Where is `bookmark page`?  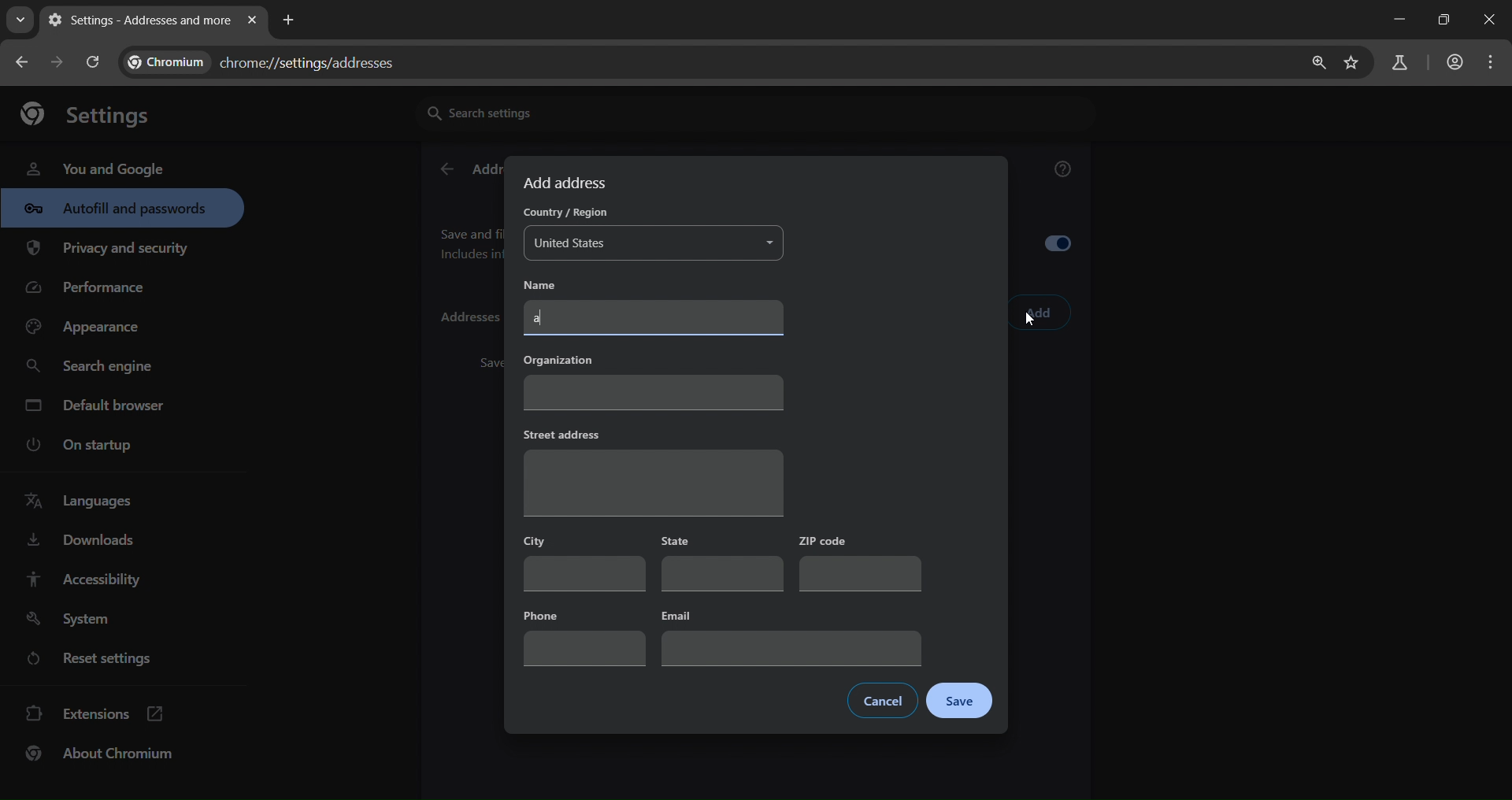 bookmark page is located at coordinates (1352, 64).